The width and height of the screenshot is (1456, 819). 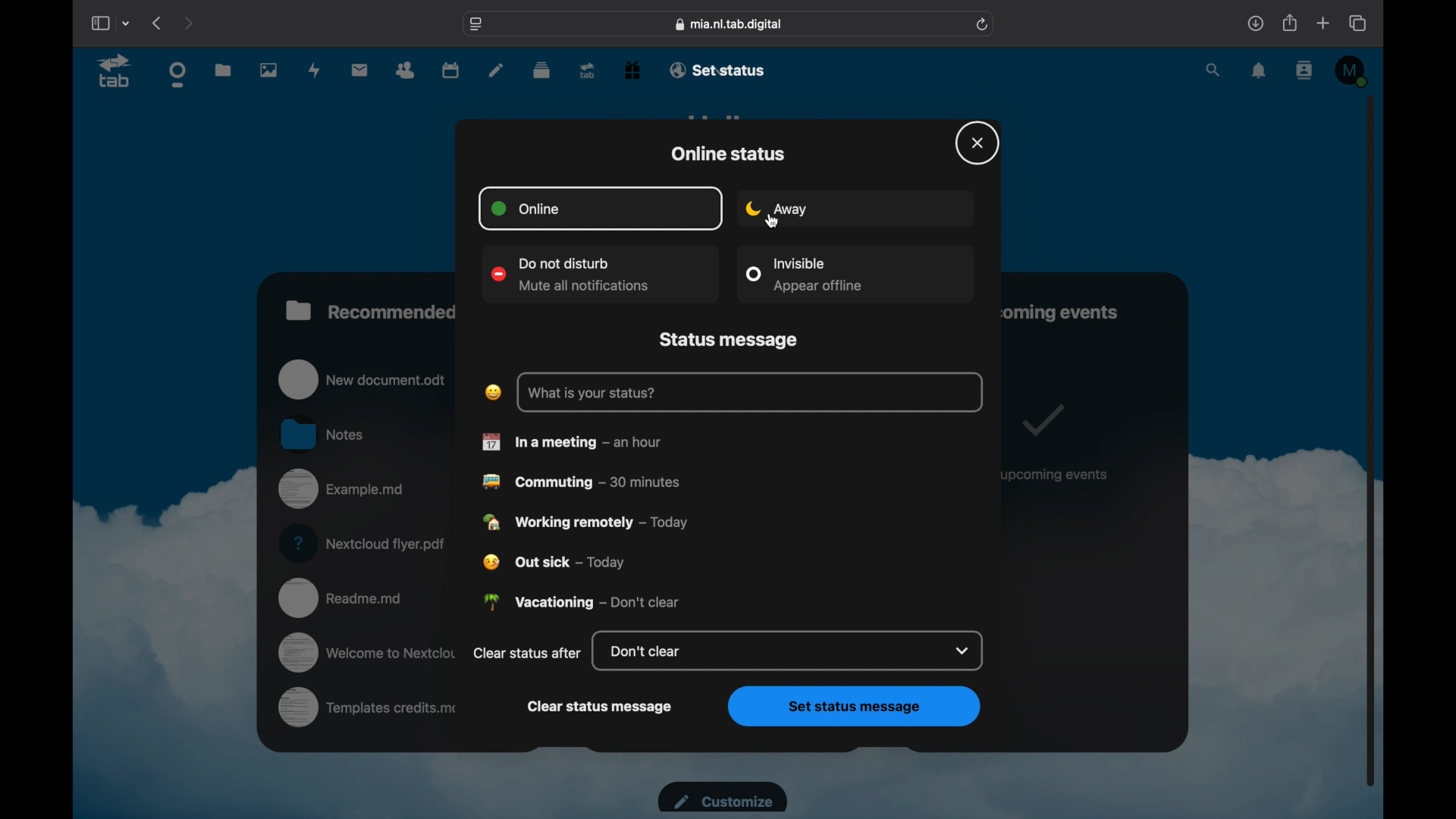 What do you see at coordinates (115, 73) in the screenshot?
I see `tab` at bounding box center [115, 73].